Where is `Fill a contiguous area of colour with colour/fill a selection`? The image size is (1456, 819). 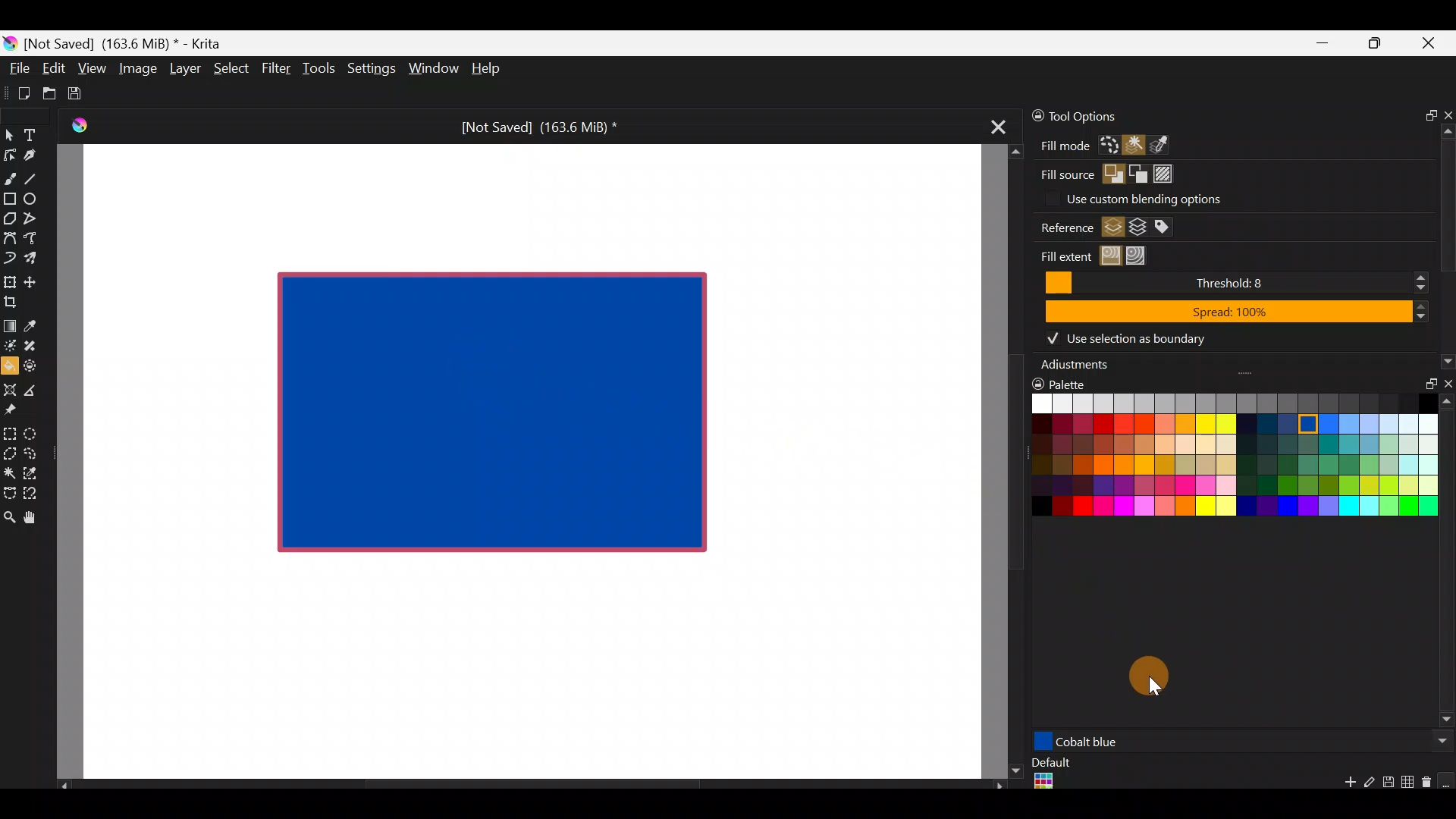
Fill a contiguous area of colour with colour/fill a selection is located at coordinates (9, 365).